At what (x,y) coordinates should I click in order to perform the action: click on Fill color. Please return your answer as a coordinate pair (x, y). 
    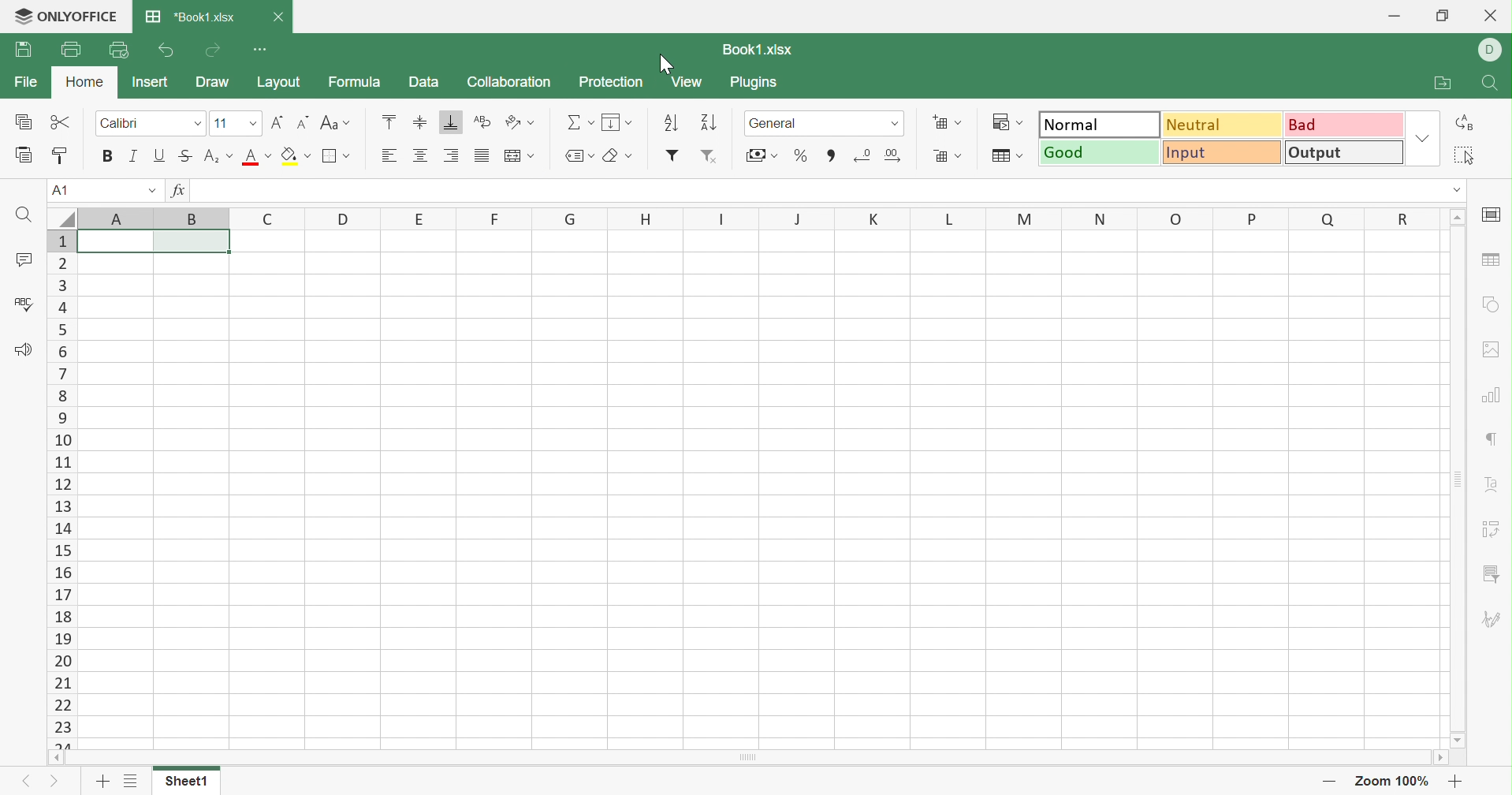
    Looking at the image, I should click on (293, 155).